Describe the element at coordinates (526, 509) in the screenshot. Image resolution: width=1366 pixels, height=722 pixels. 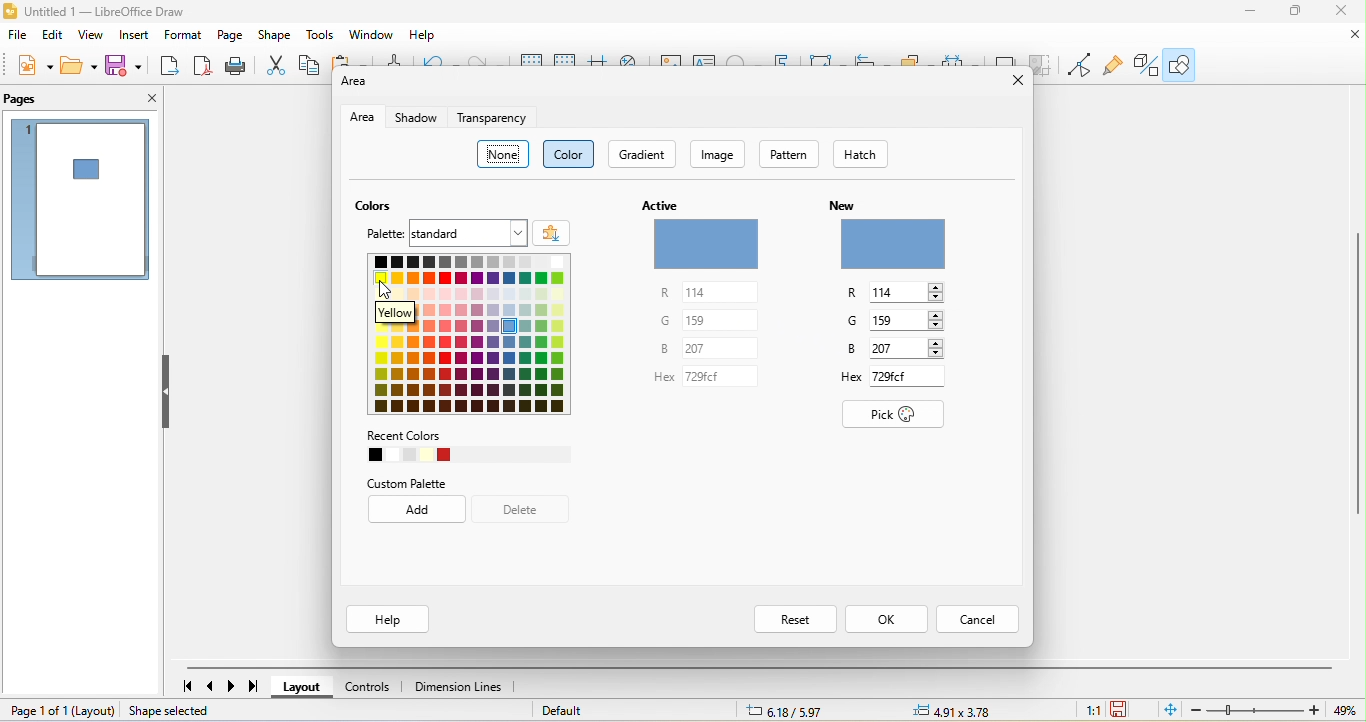
I see `delete` at that location.